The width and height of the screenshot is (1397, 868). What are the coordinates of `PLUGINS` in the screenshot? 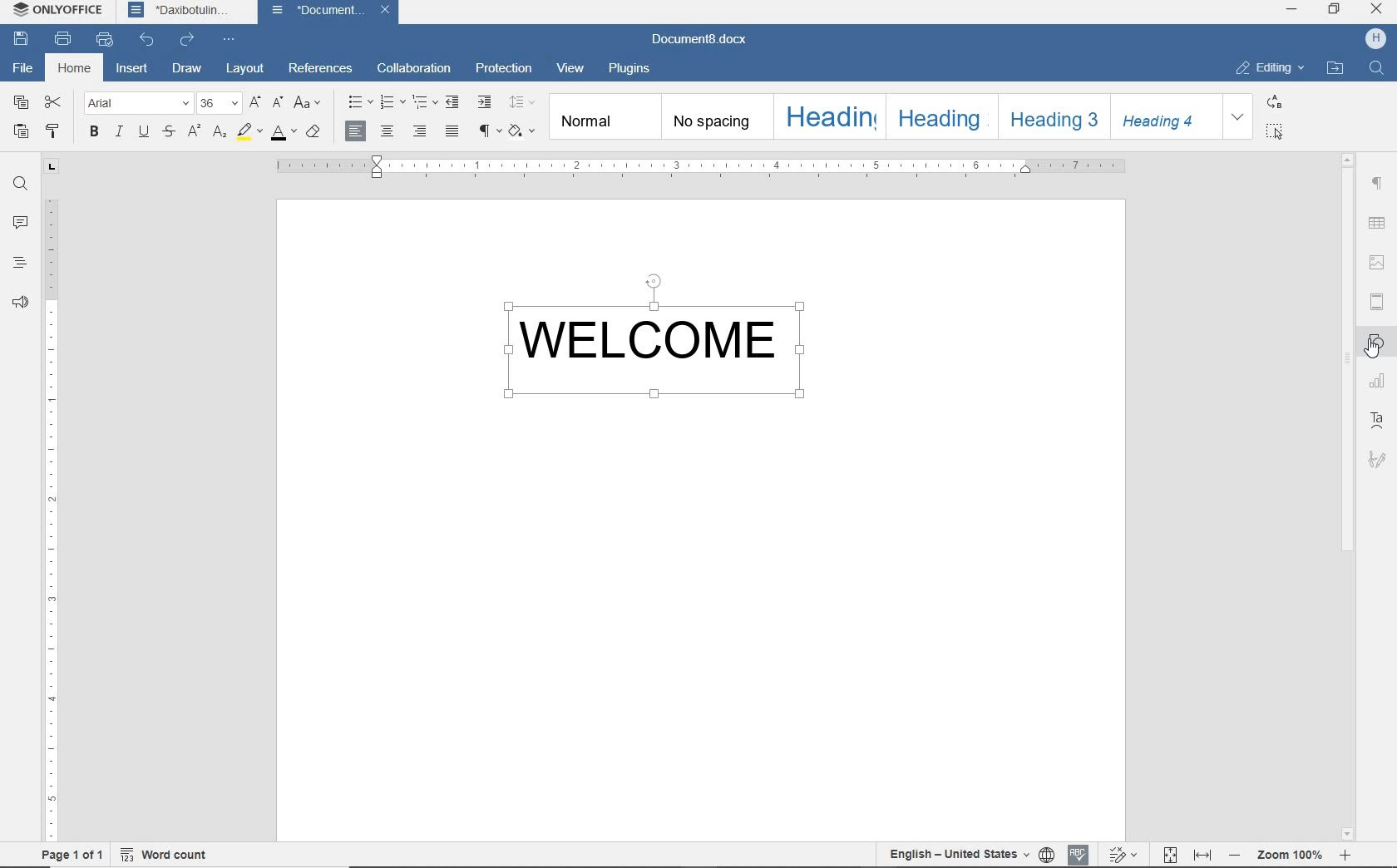 It's located at (631, 70).